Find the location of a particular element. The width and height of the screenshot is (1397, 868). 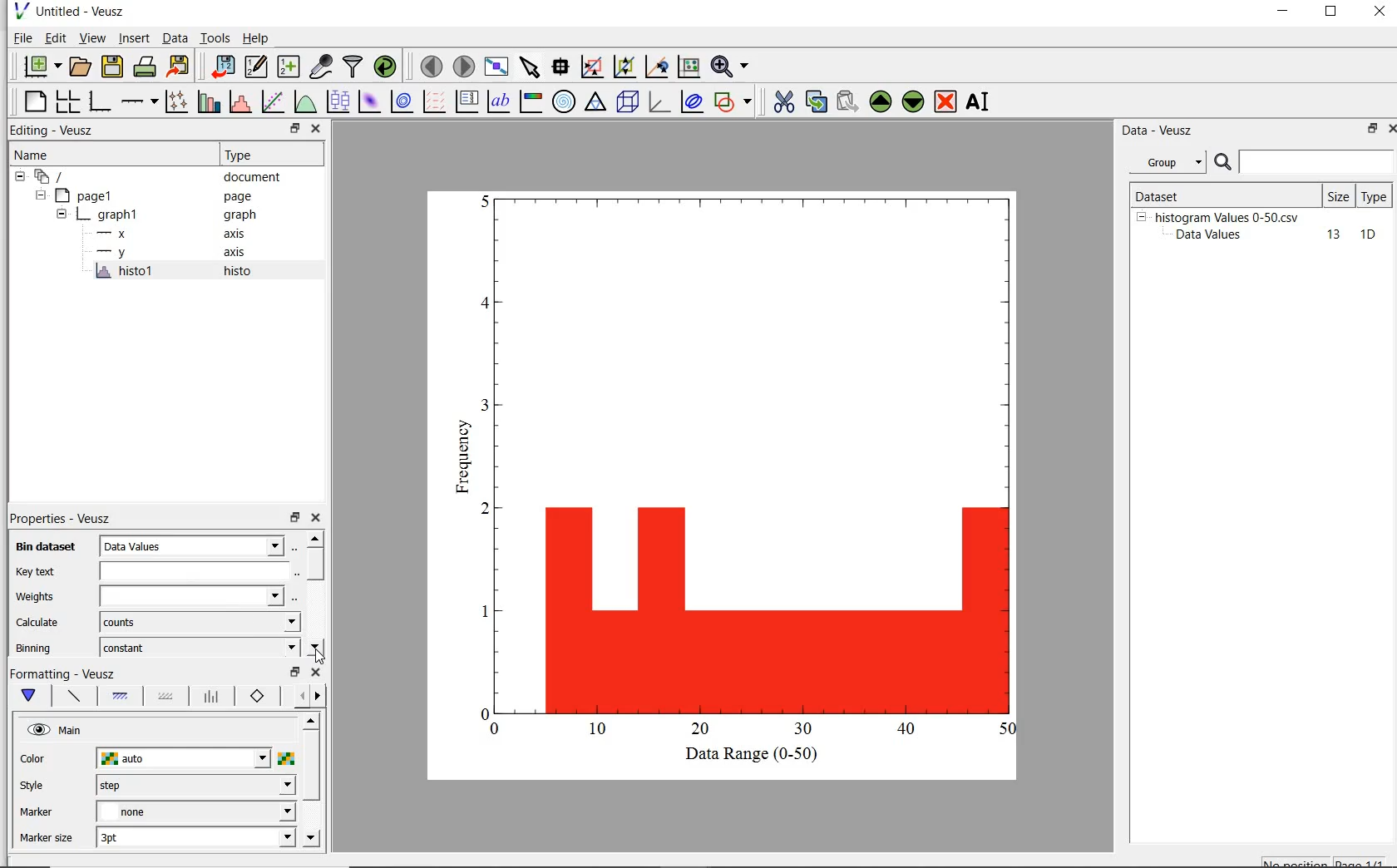

Marker is located at coordinates (37, 814).